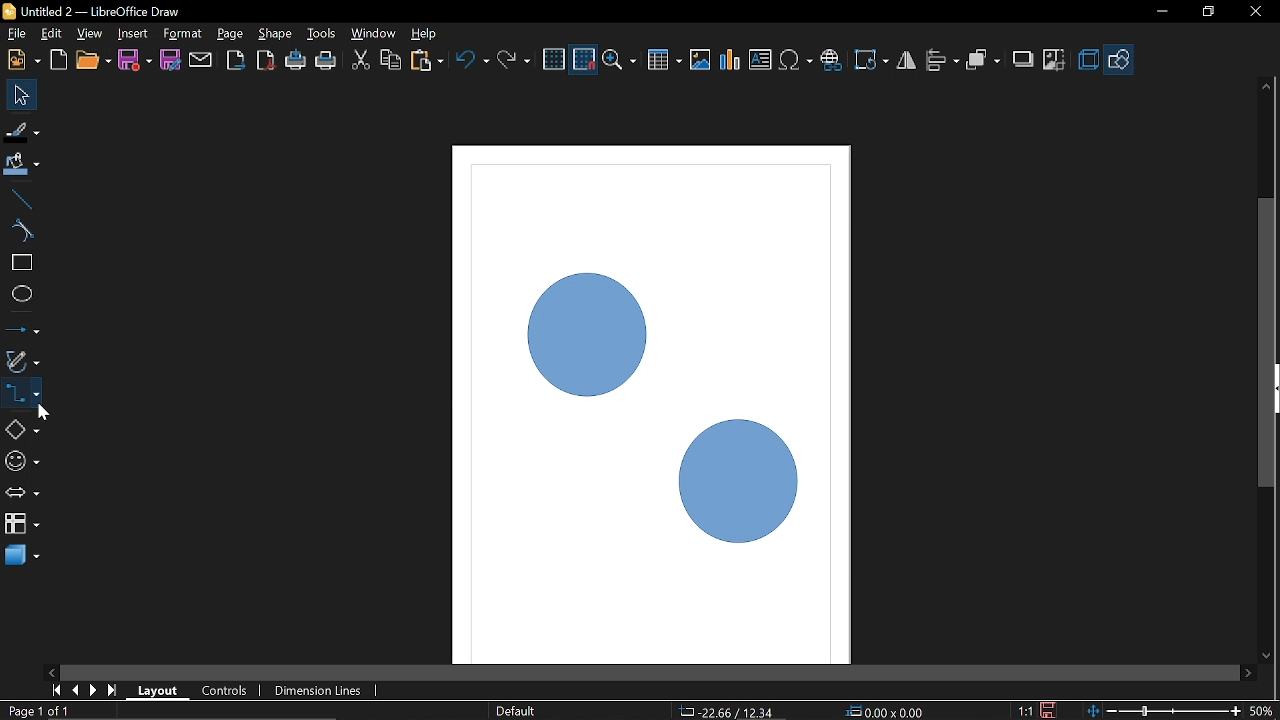  Describe the element at coordinates (22, 495) in the screenshot. I see `Arrows` at that location.